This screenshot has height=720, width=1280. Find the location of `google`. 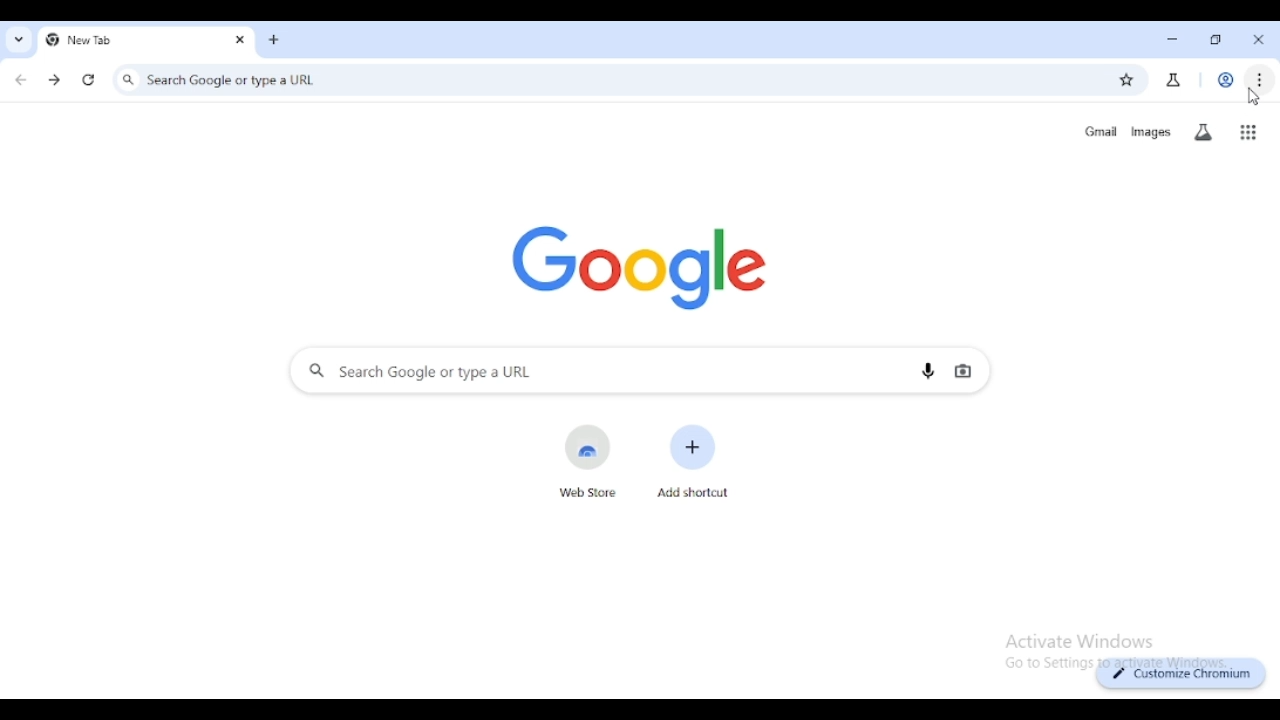

google is located at coordinates (638, 263).